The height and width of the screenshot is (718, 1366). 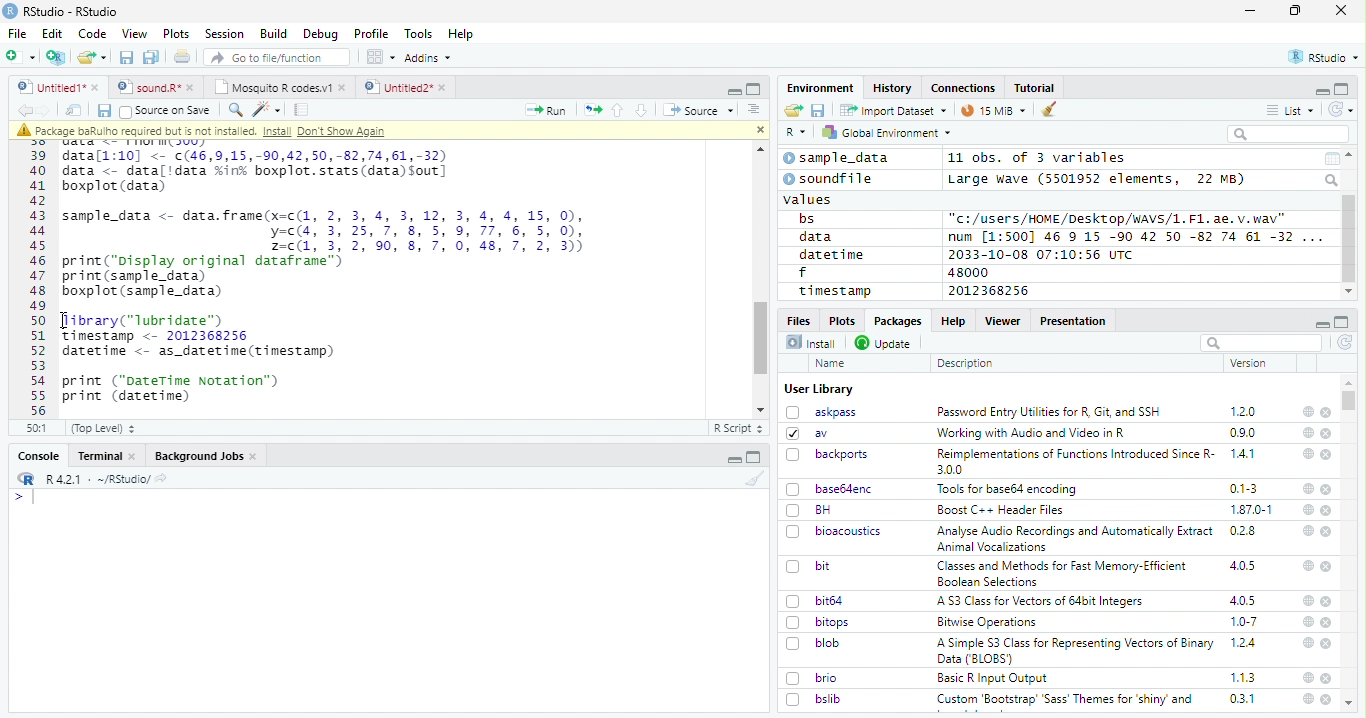 I want to click on full screen, so click(x=1342, y=322).